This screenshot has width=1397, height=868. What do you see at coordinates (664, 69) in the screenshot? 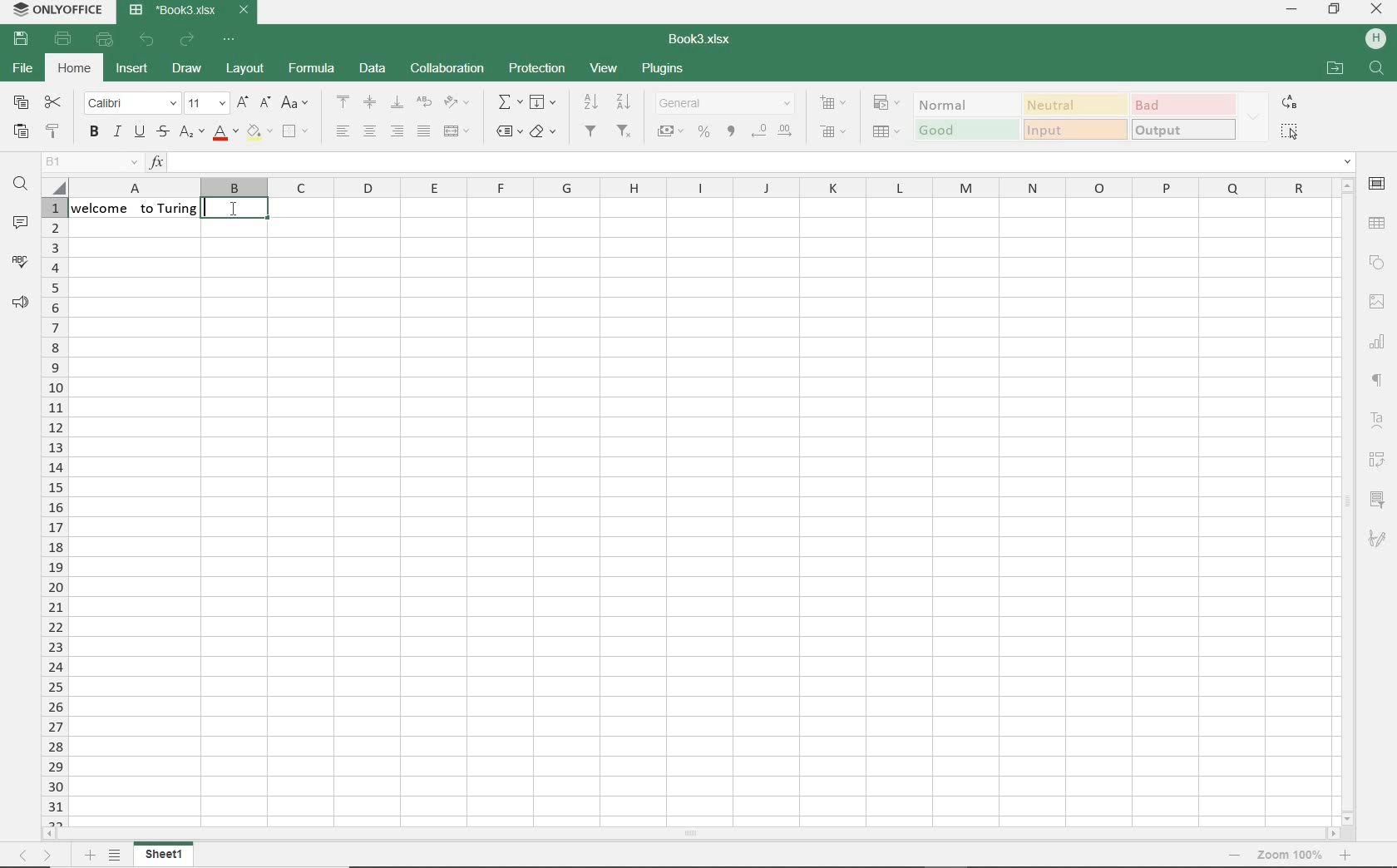
I see `plugins` at bounding box center [664, 69].